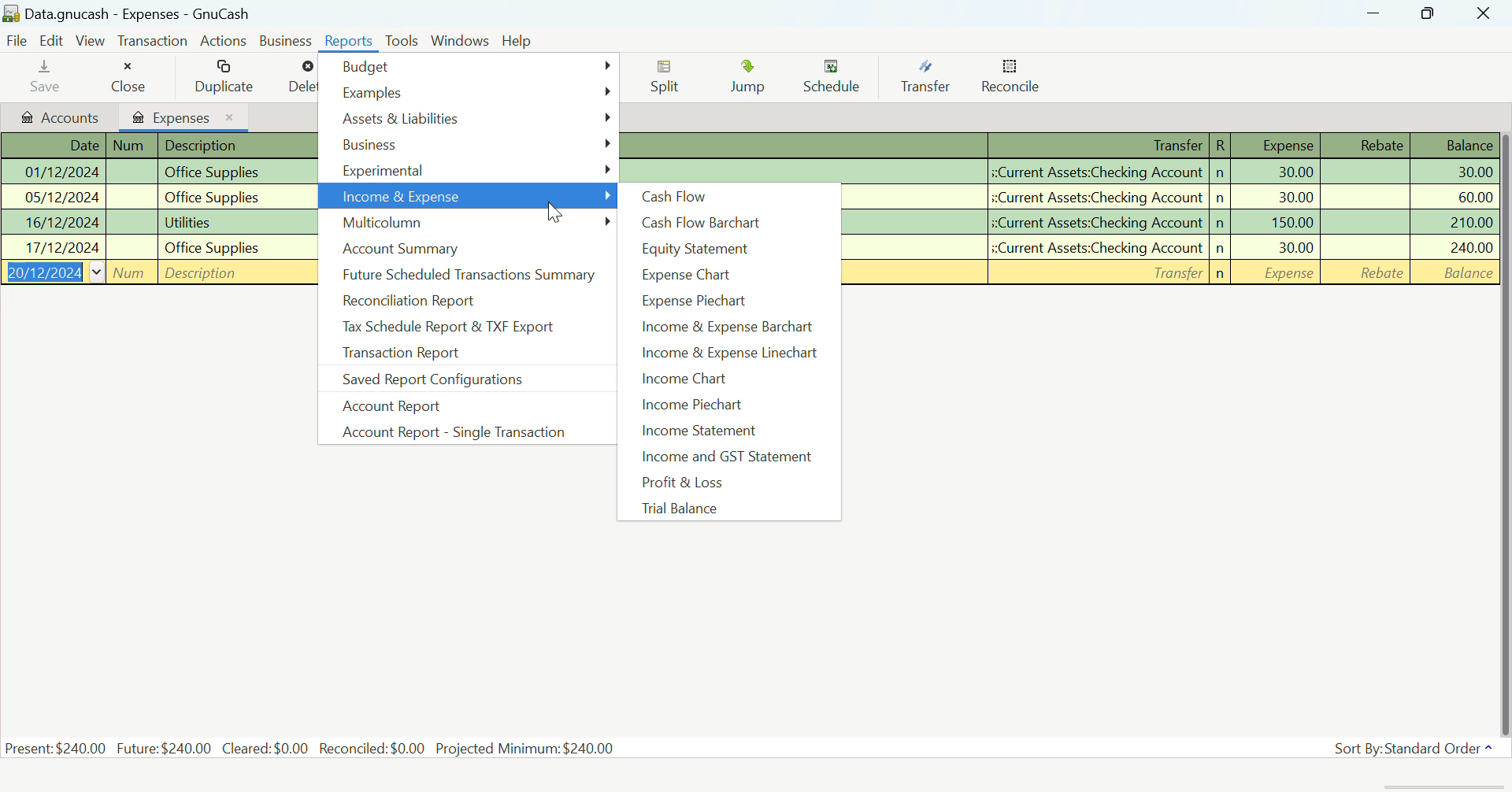 The height and width of the screenshot is (792, 1512). What do you see at coordinates (726, 302) in the screenshot?
I see `Expense Piechart` at bounding box center [726, 302].